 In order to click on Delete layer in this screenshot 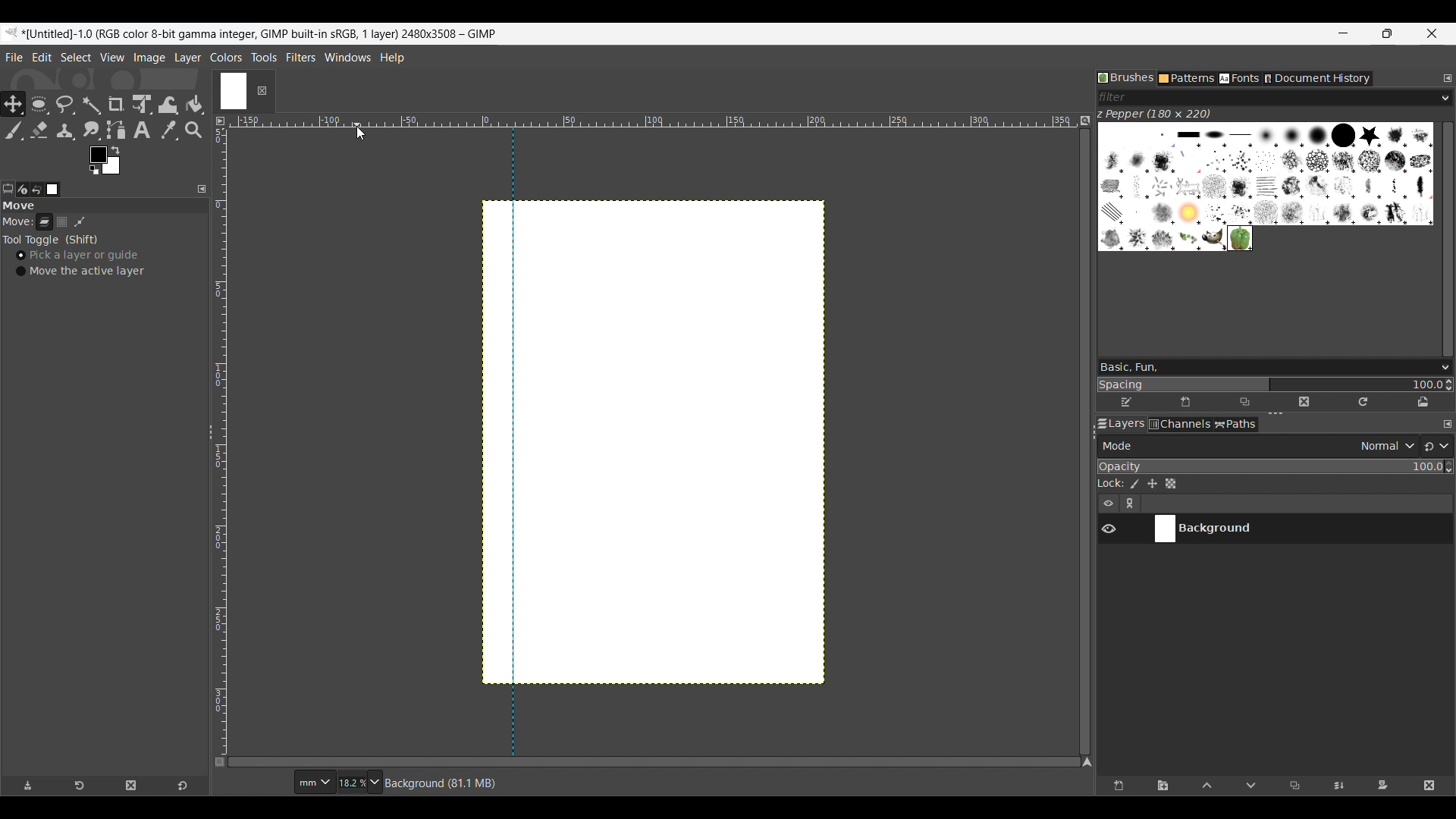, I will do `click(1429, 786)`.